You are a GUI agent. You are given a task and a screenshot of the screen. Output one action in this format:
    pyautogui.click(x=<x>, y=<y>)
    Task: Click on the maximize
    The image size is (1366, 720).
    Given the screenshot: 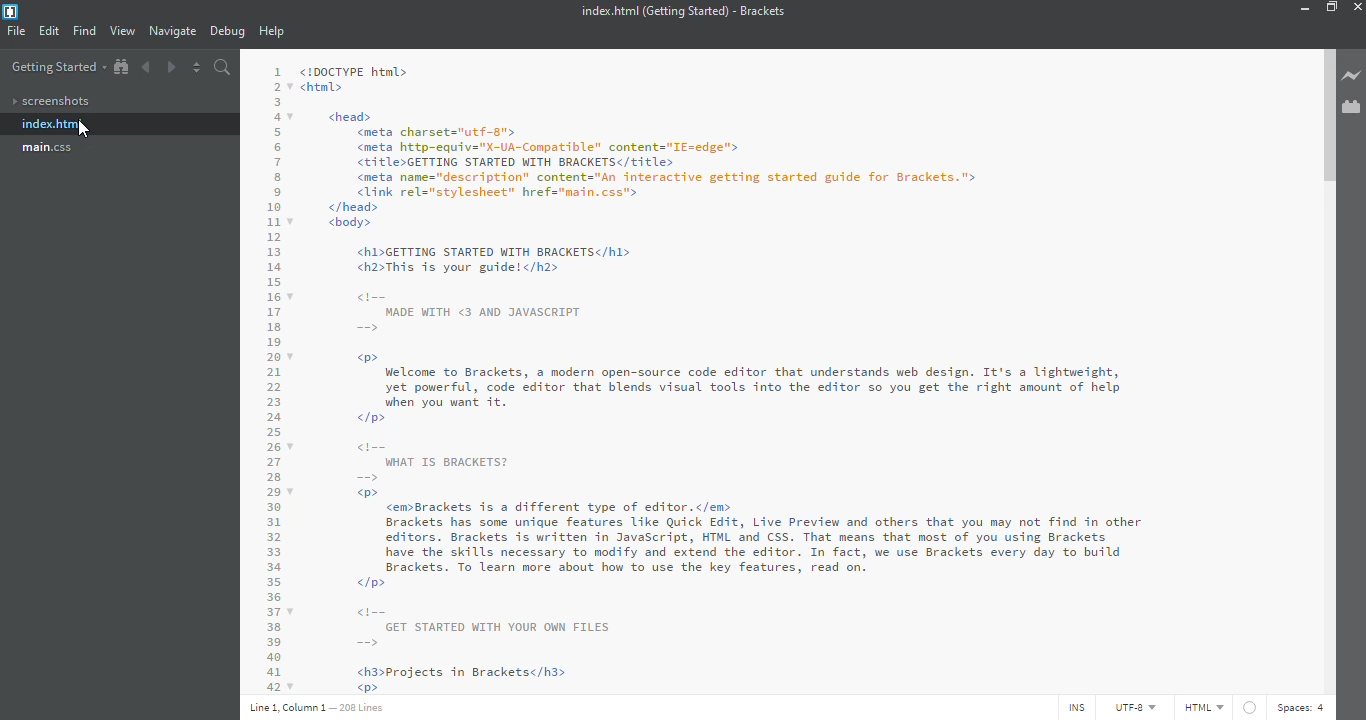 What is the action you would take?
    pyautogui.click(x=1332, y=7)
    